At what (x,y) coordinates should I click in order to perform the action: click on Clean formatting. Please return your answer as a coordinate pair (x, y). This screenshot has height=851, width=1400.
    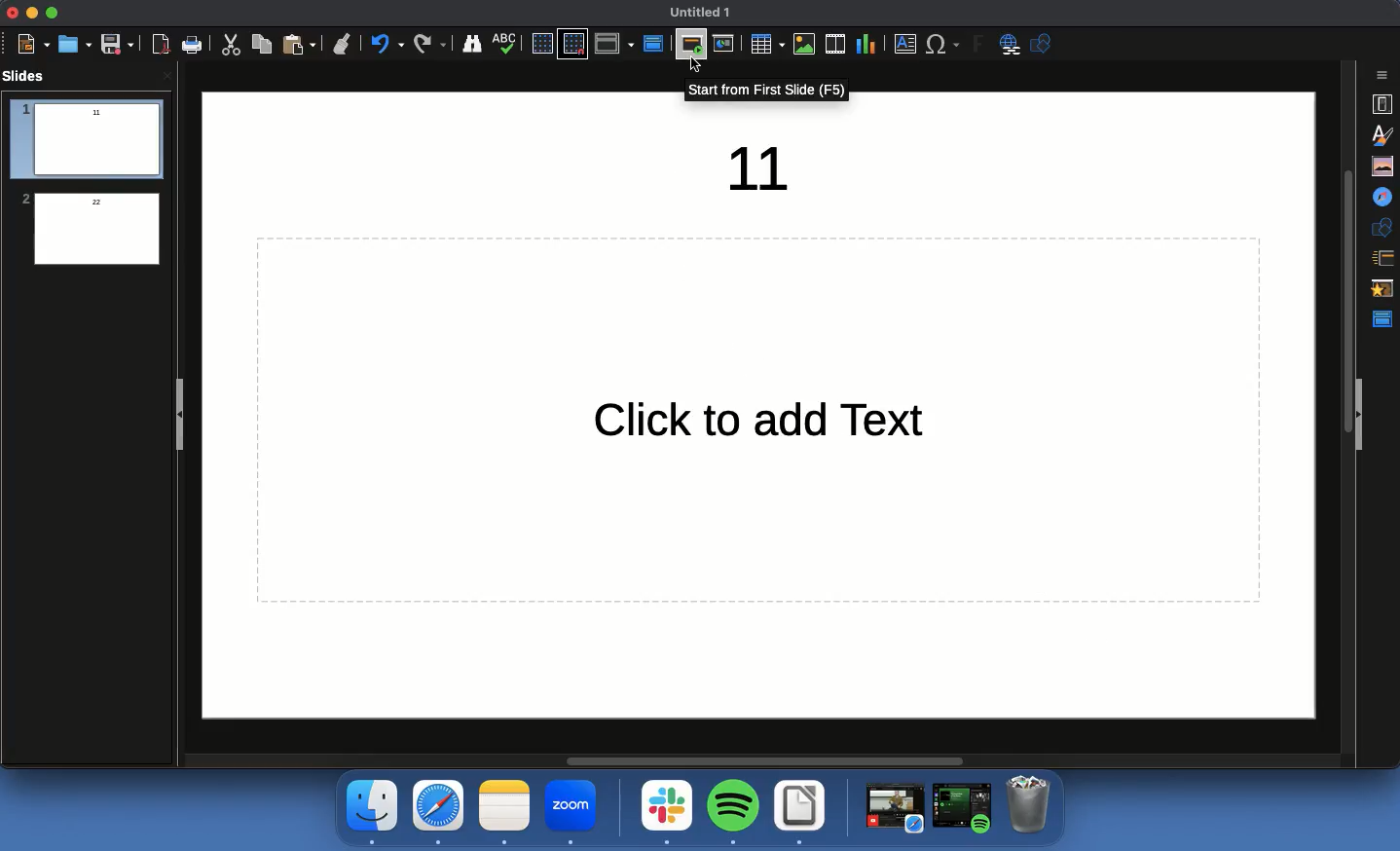
    Looking at the image, I should click on (341, 43).